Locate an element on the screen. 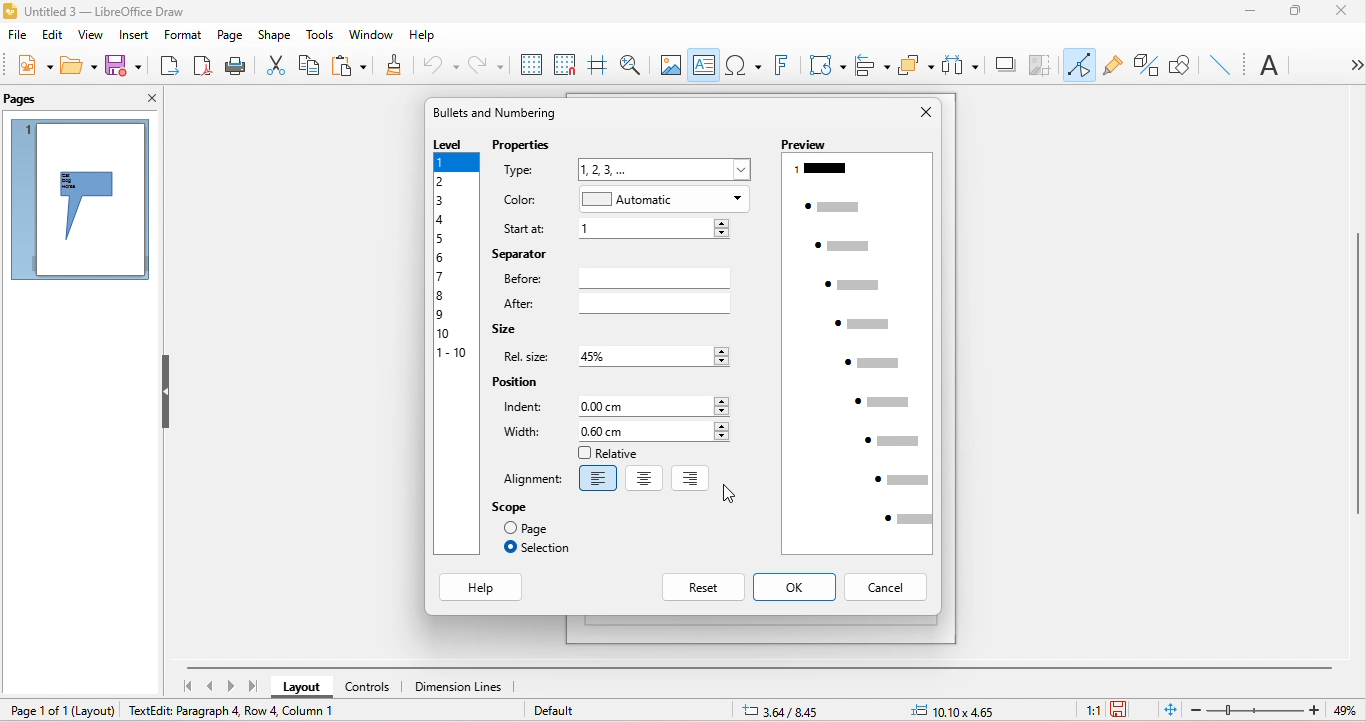  toggle extrusion is located at coordinates (1147, 67).